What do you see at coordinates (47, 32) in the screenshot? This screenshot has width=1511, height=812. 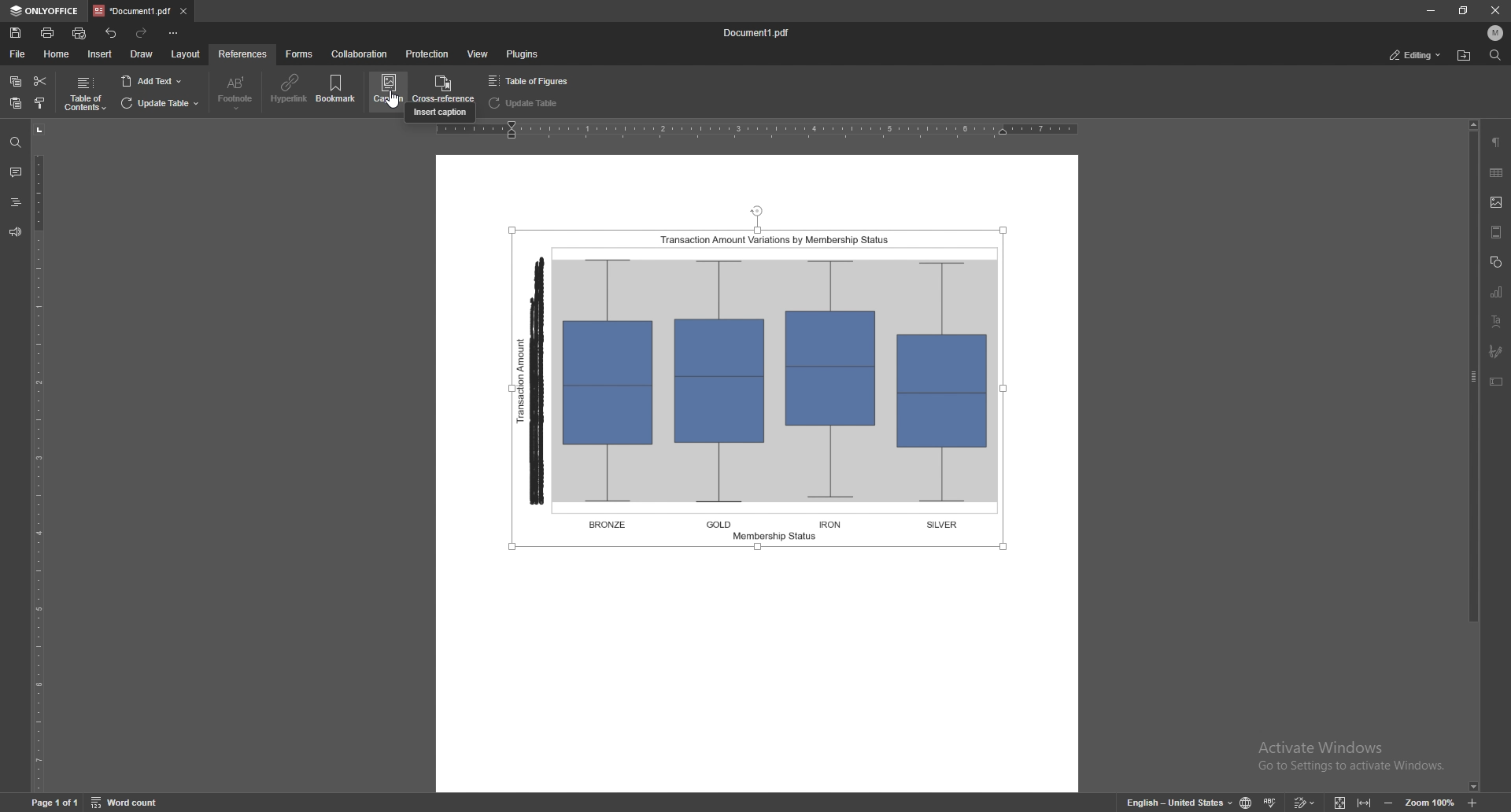 I see `print` at bounding box center [47, 32].